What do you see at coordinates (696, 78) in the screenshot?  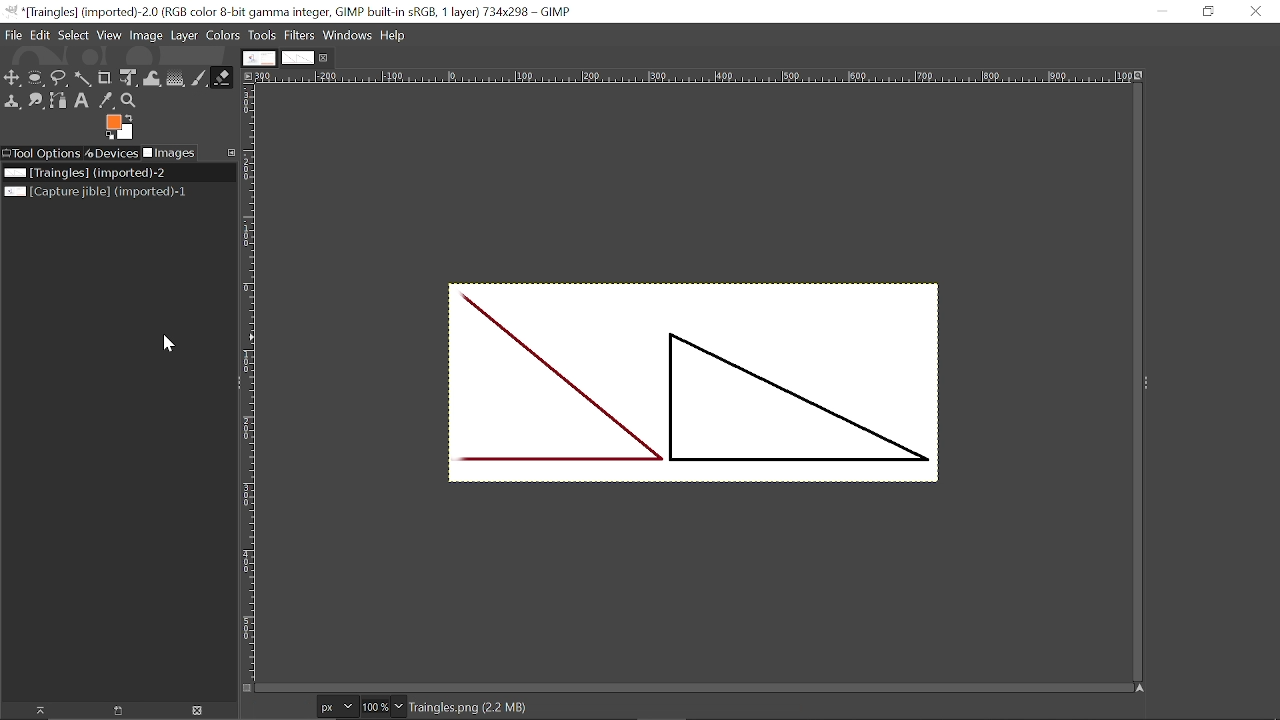 I see `Horizontal label` at bounding box center [696, 78].